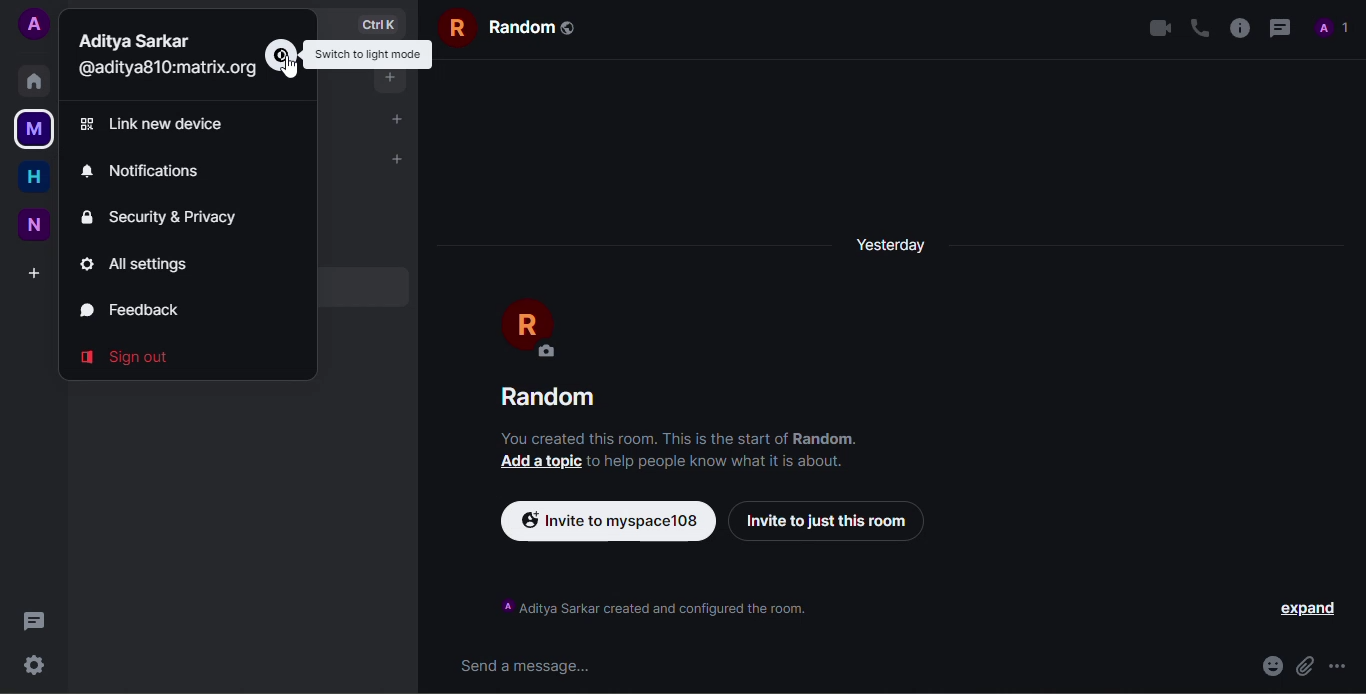  Describe the element at coordinates (138, 265) in the screenshot. I see `all settings` at that location.